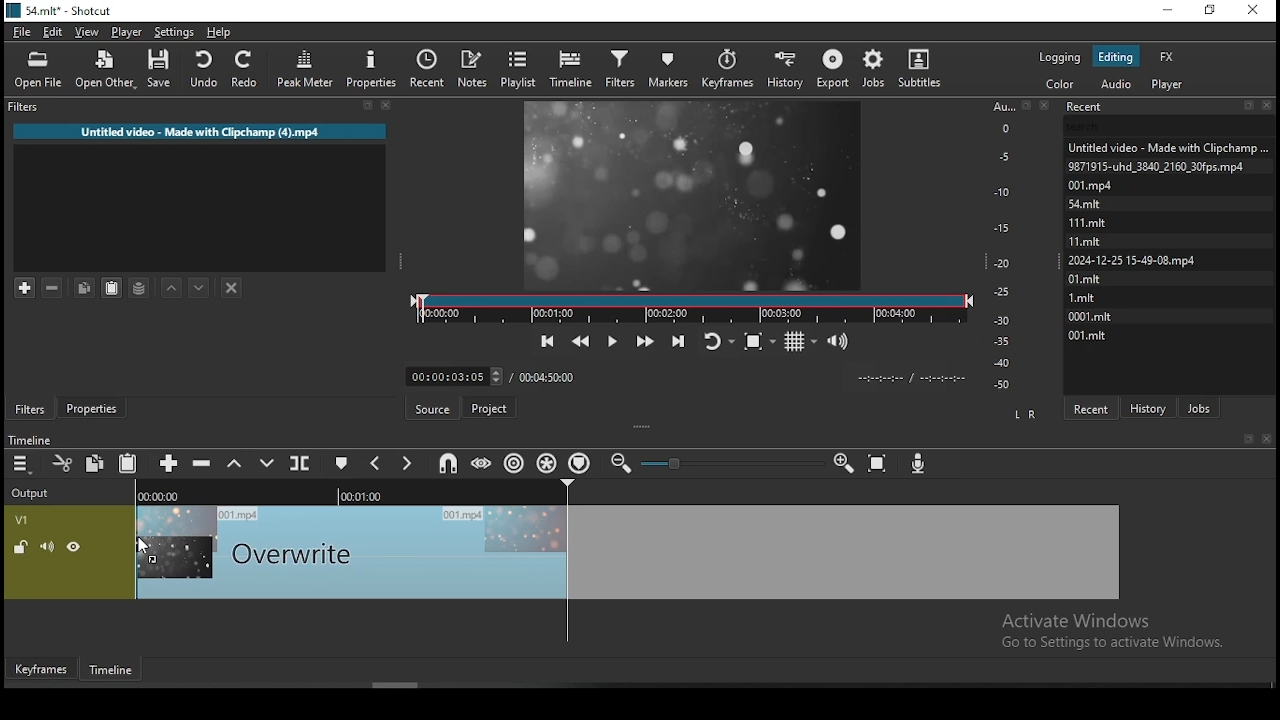  What do you see at coordinates (1094, 406) in the screenshot?
I see `recent` at bounding box center [1094, 406].